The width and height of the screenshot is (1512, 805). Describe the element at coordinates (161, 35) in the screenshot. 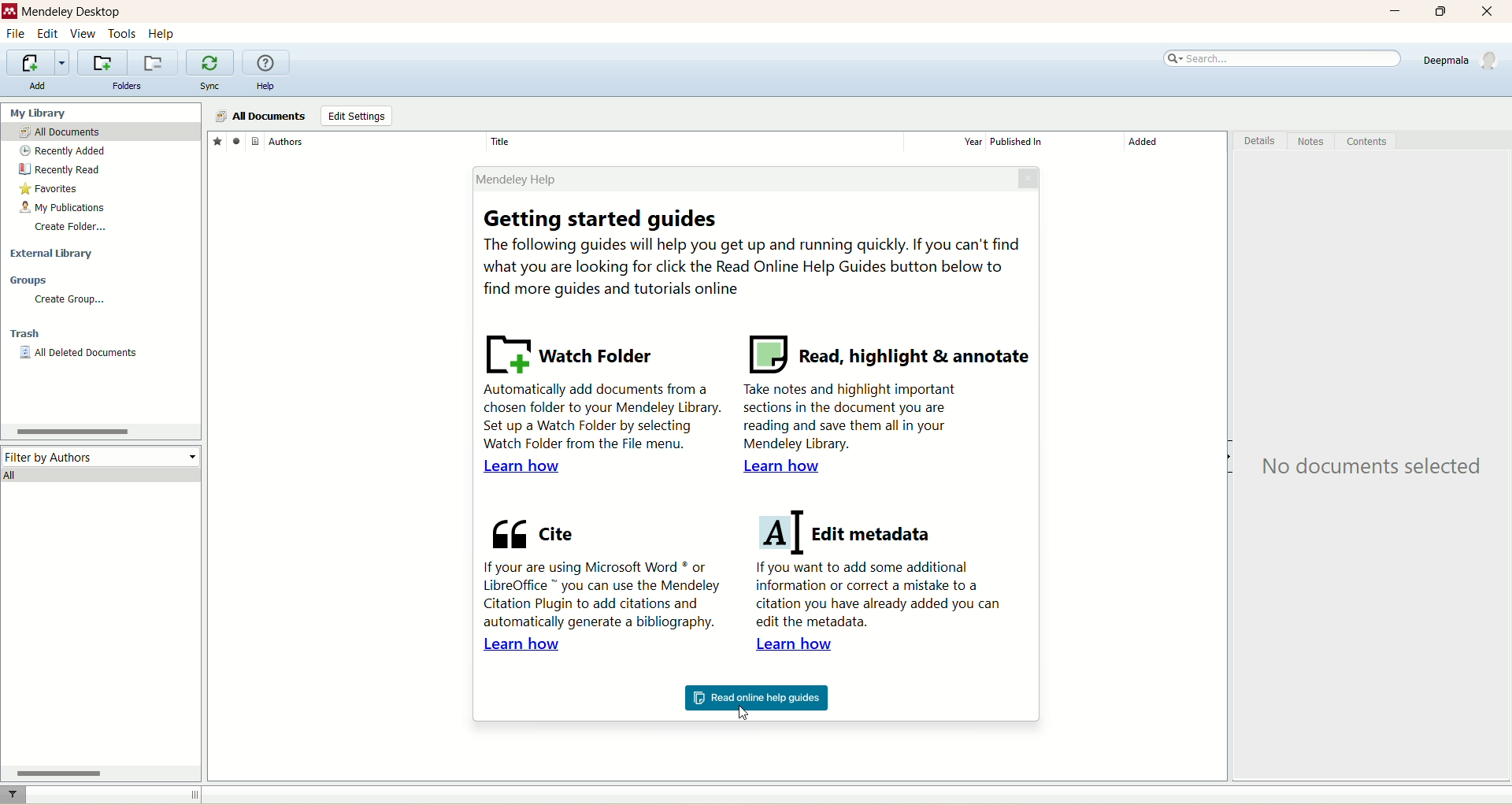

I see `help` at that location.